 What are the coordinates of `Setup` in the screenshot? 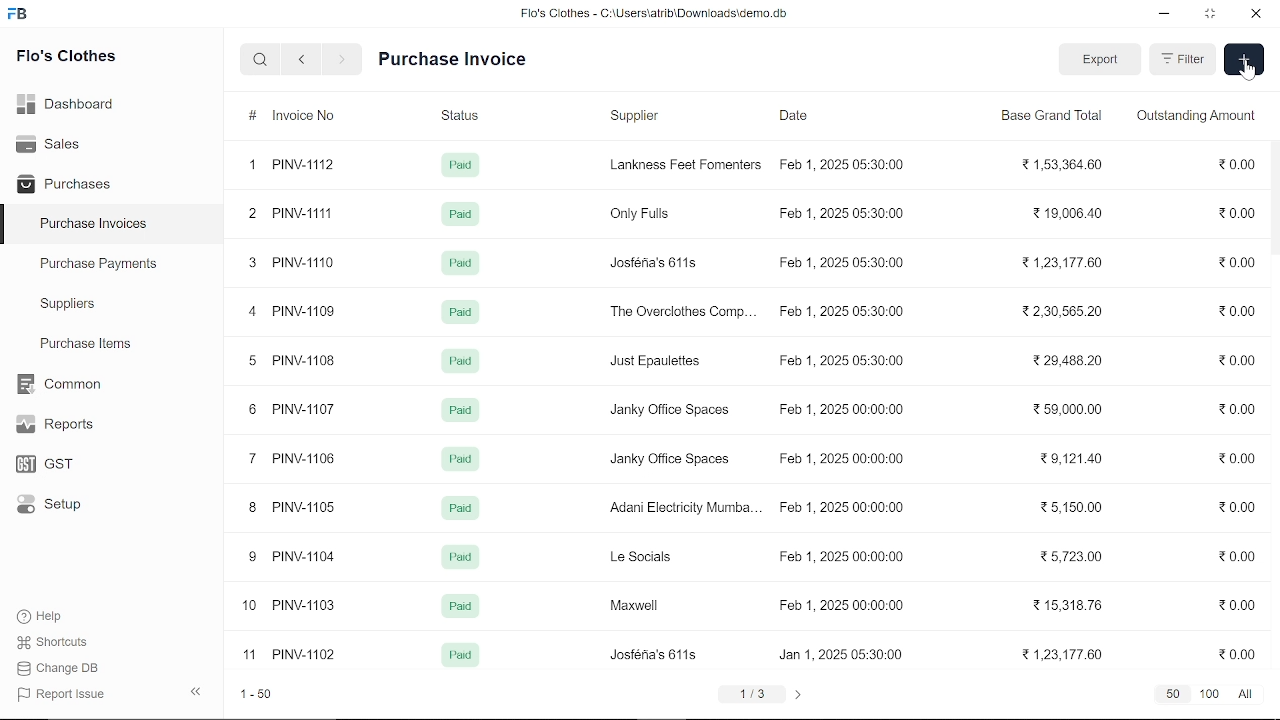 It's located at (44, 508).